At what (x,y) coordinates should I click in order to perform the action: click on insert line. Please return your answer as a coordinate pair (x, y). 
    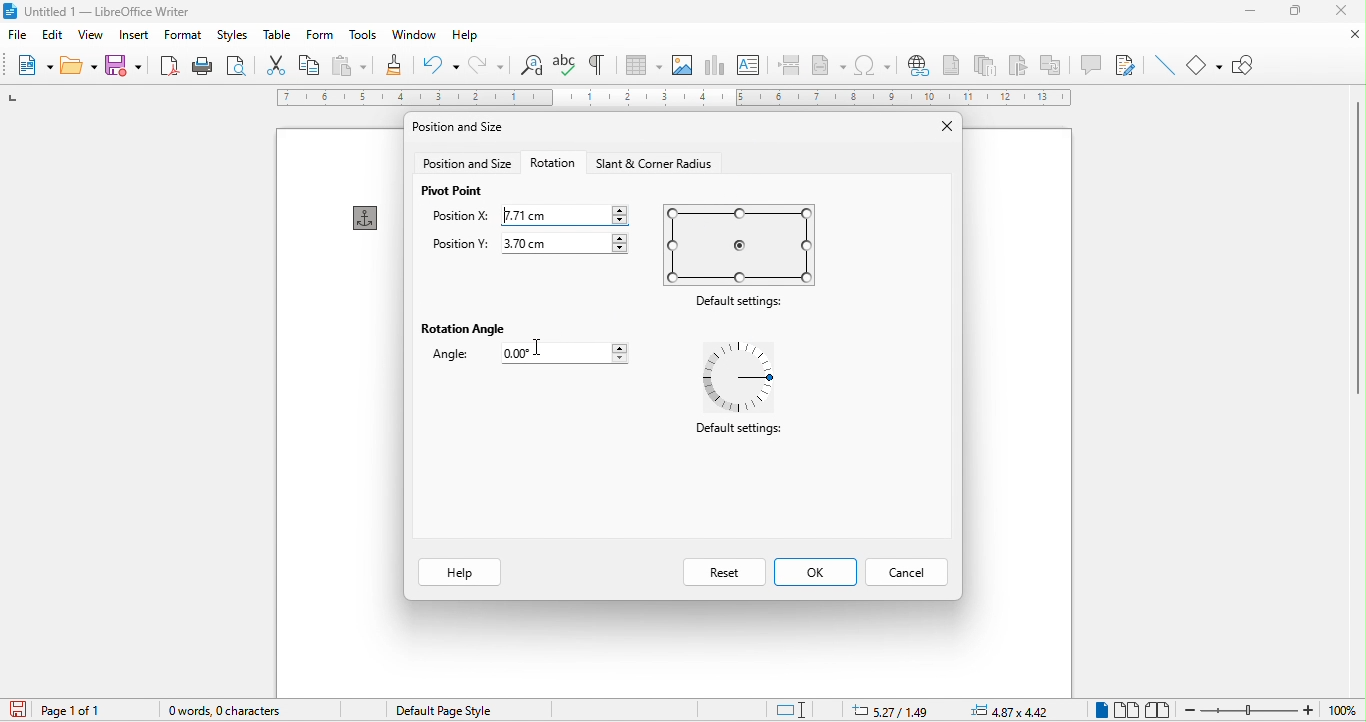
    Looking at the image, I should click on (1162, 66).